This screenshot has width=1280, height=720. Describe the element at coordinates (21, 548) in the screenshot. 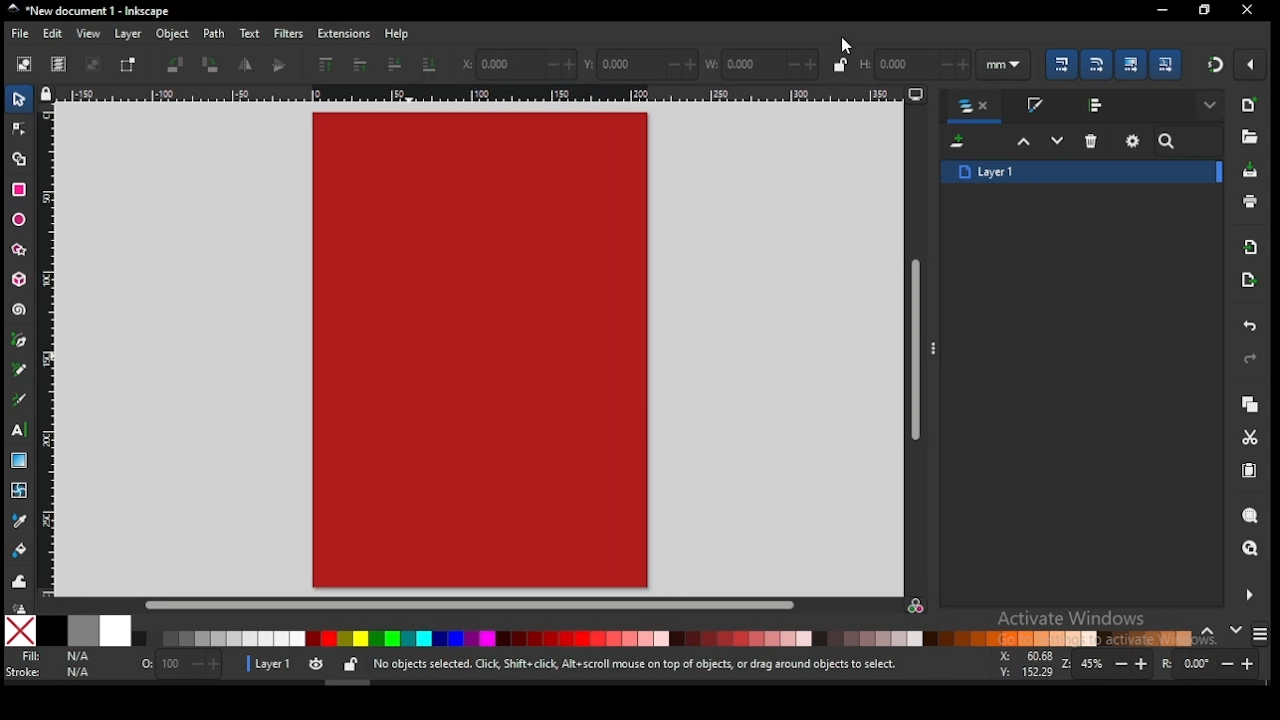

I see `paint bucket tool` at that location.